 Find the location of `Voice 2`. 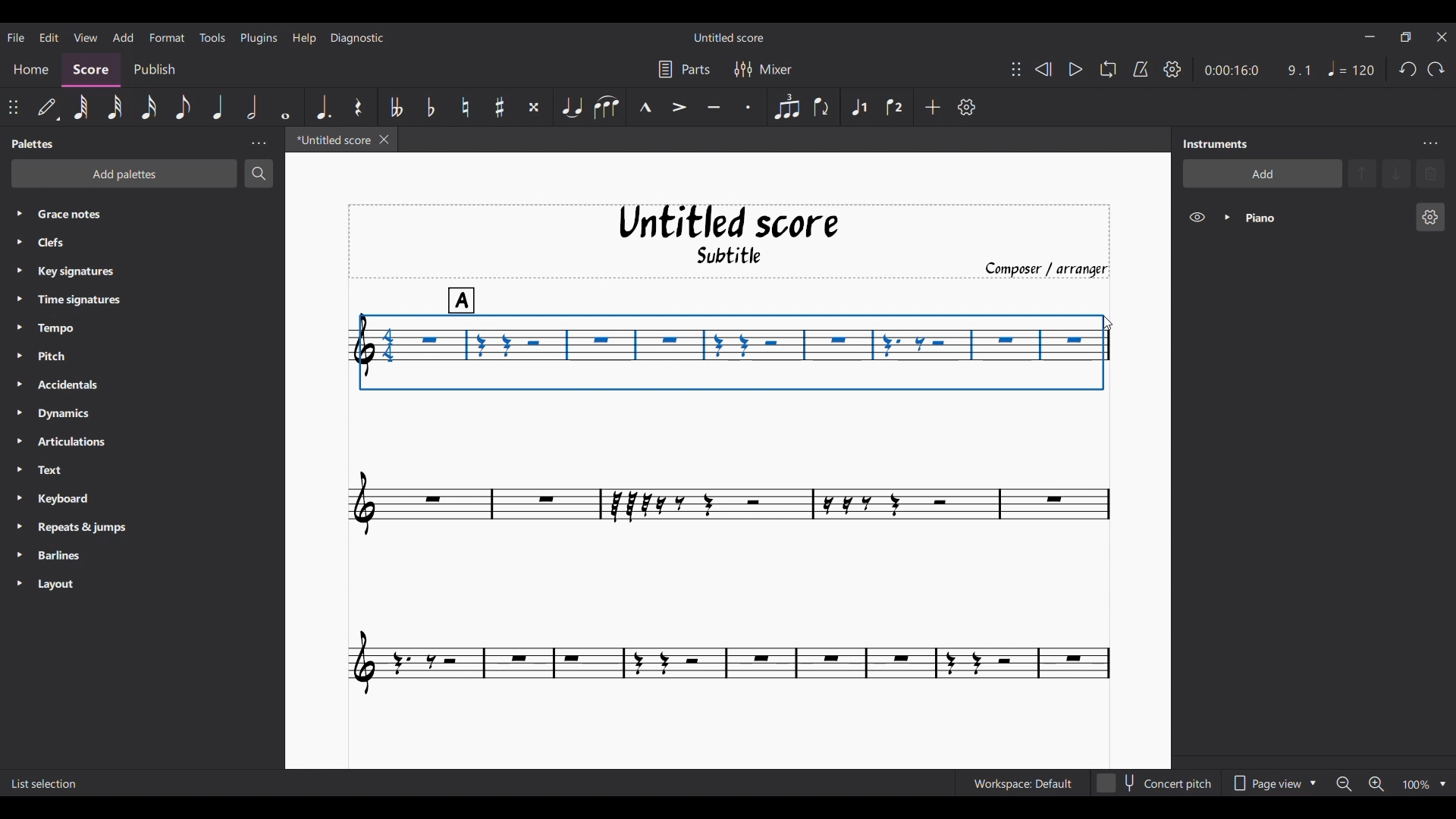

Voice 2 is located at coordinates (894, 108).